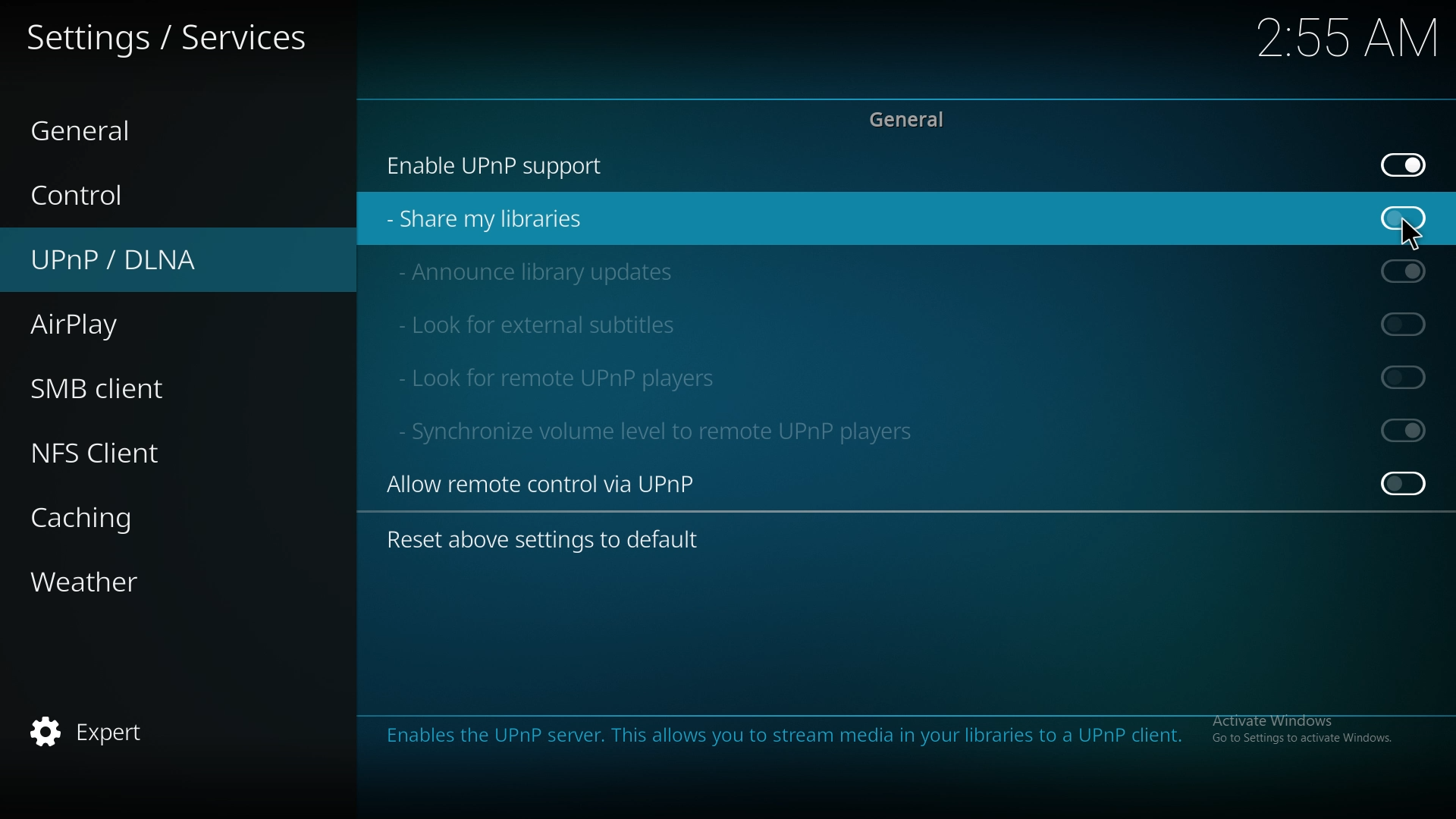 This screenshot has height=819, width=1456. I want to click on Enable the UPnP control point. This allows you to stream media to any UPnP client and control, so click(775, 744).